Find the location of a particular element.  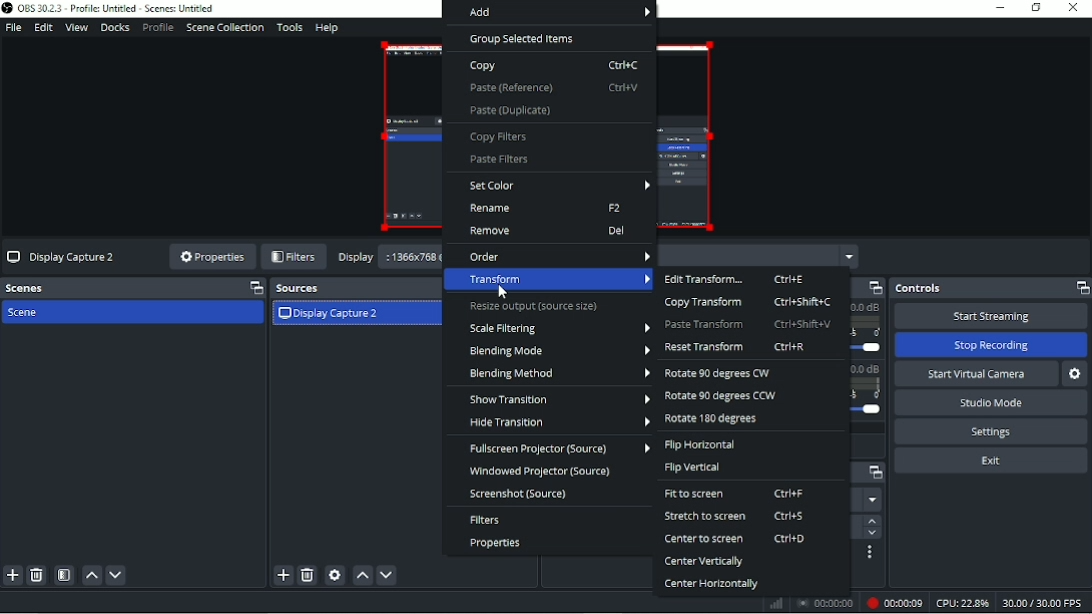

Rotate 90 degress CW is located at coordinates (722, 374).